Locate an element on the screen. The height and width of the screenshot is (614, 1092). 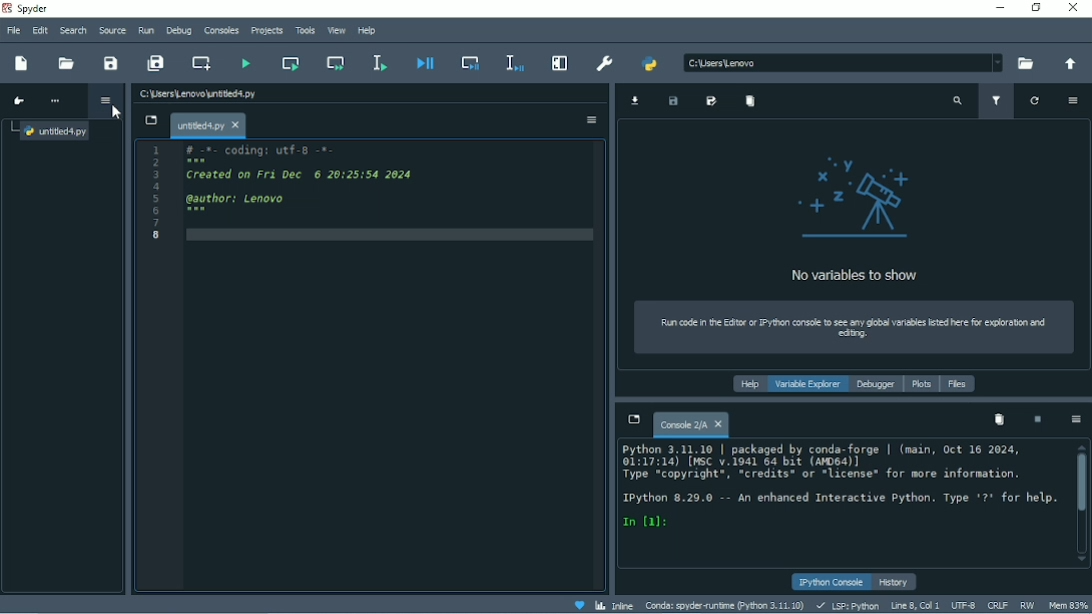
No variables to show is located at coordinates (860, 275).